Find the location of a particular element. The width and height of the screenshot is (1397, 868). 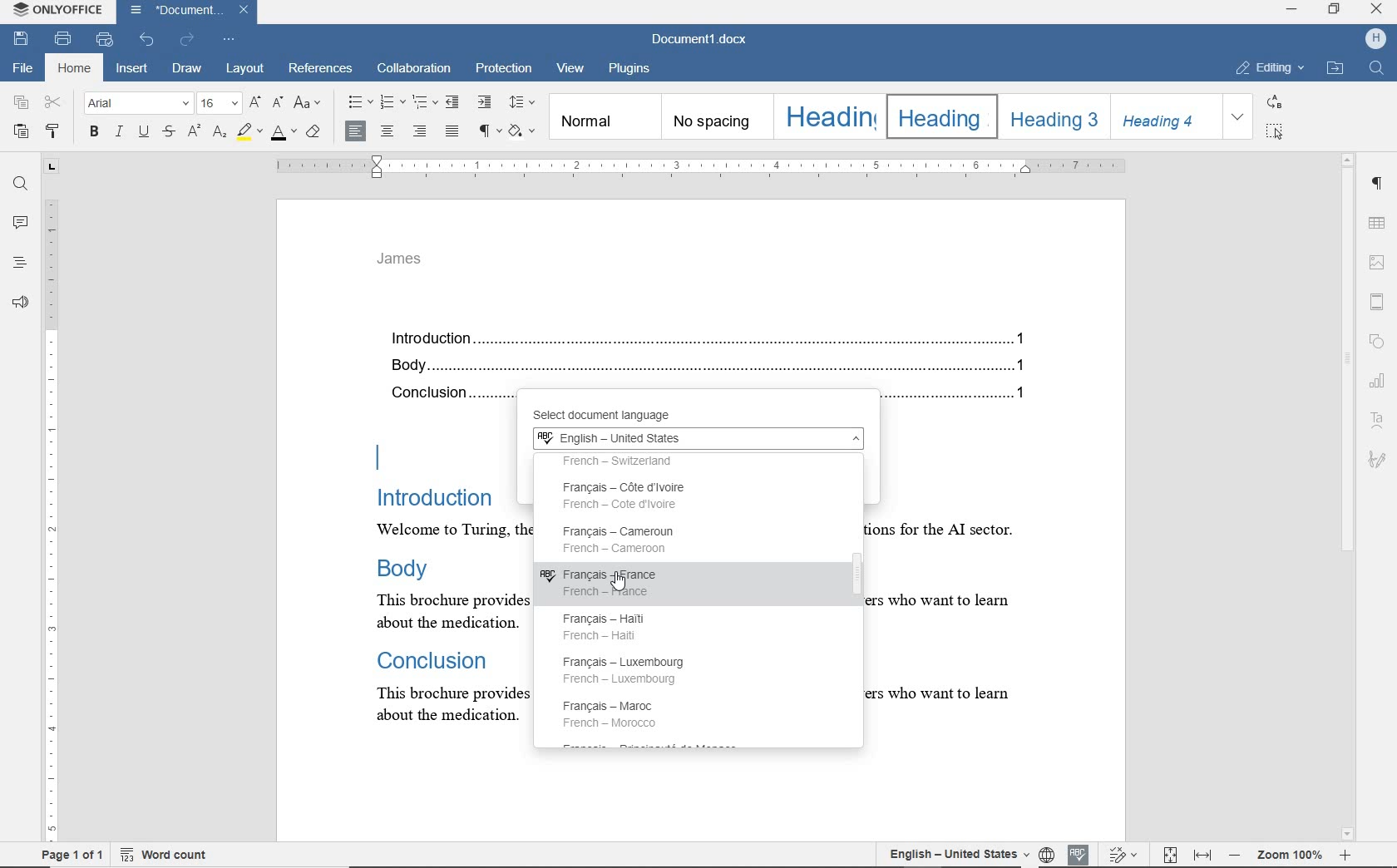

Body...........................................................................................................................................1 is located at coordinates (714, 367).